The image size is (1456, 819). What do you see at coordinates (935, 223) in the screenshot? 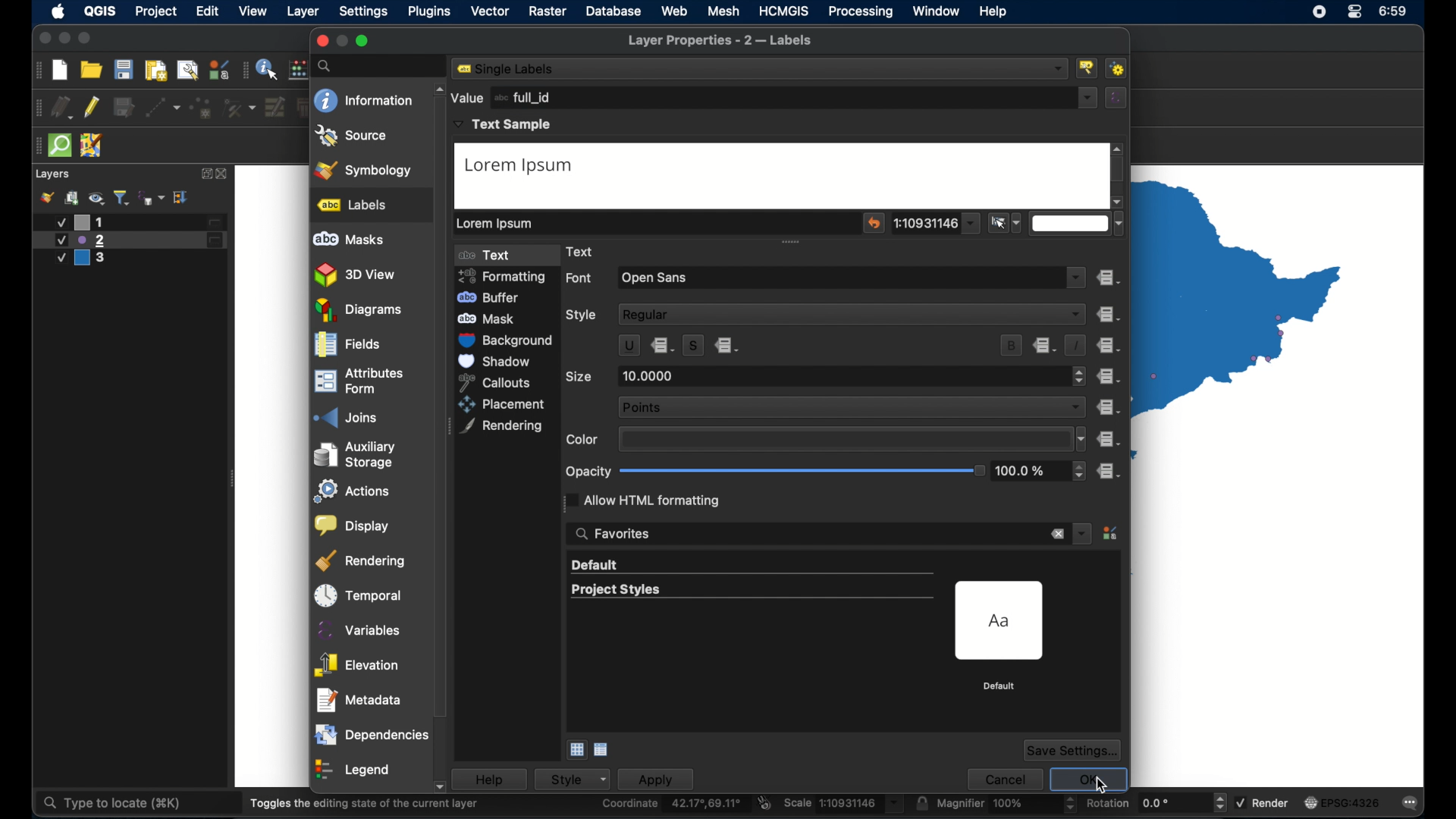
I see `dropdown menu` at bounding box center [935, 223].